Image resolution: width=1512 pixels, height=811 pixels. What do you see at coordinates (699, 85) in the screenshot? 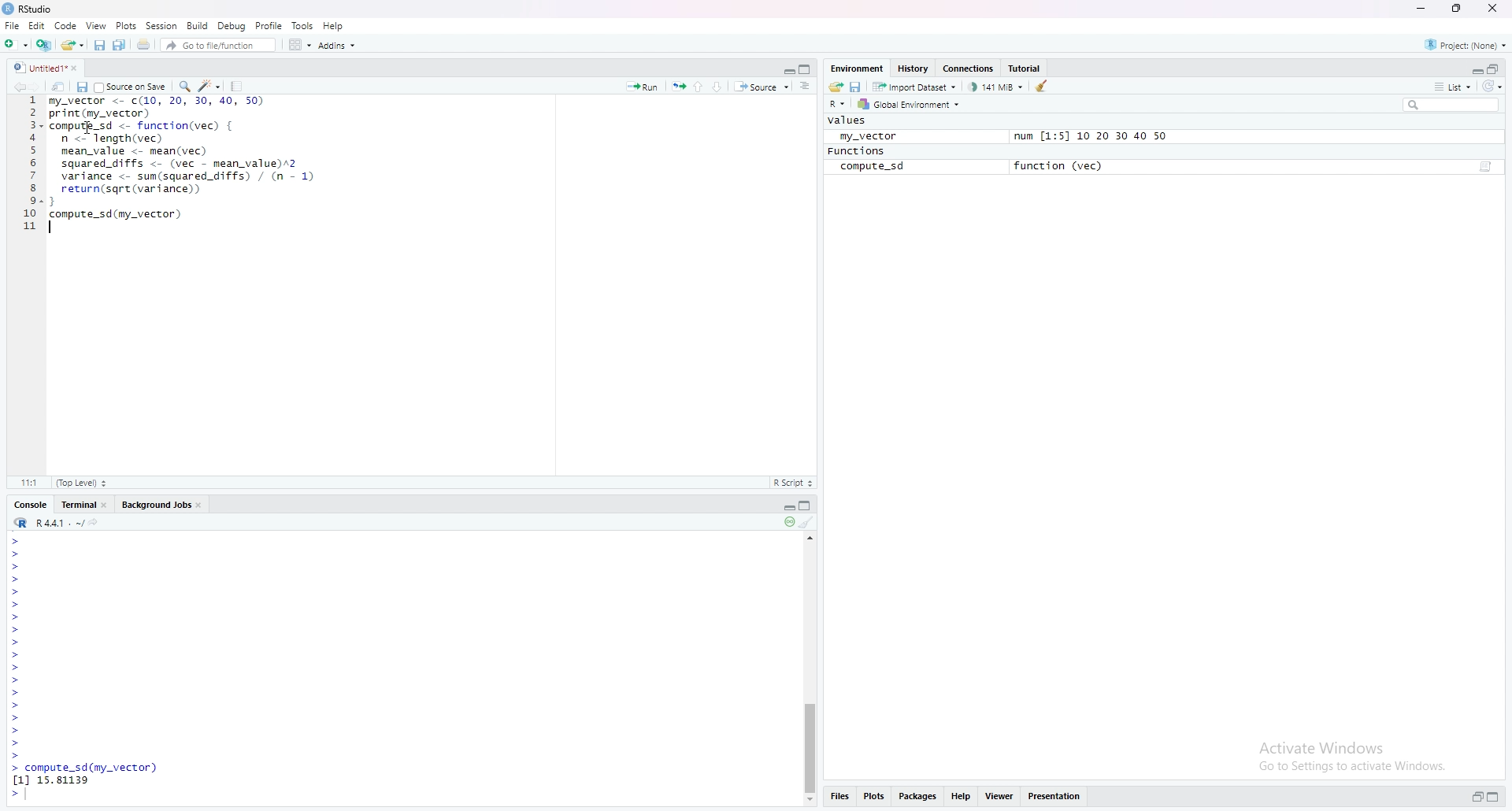
I see `Go to previous section/chunk (Ctrl + pgUP)` at bounding box center [699, 85].